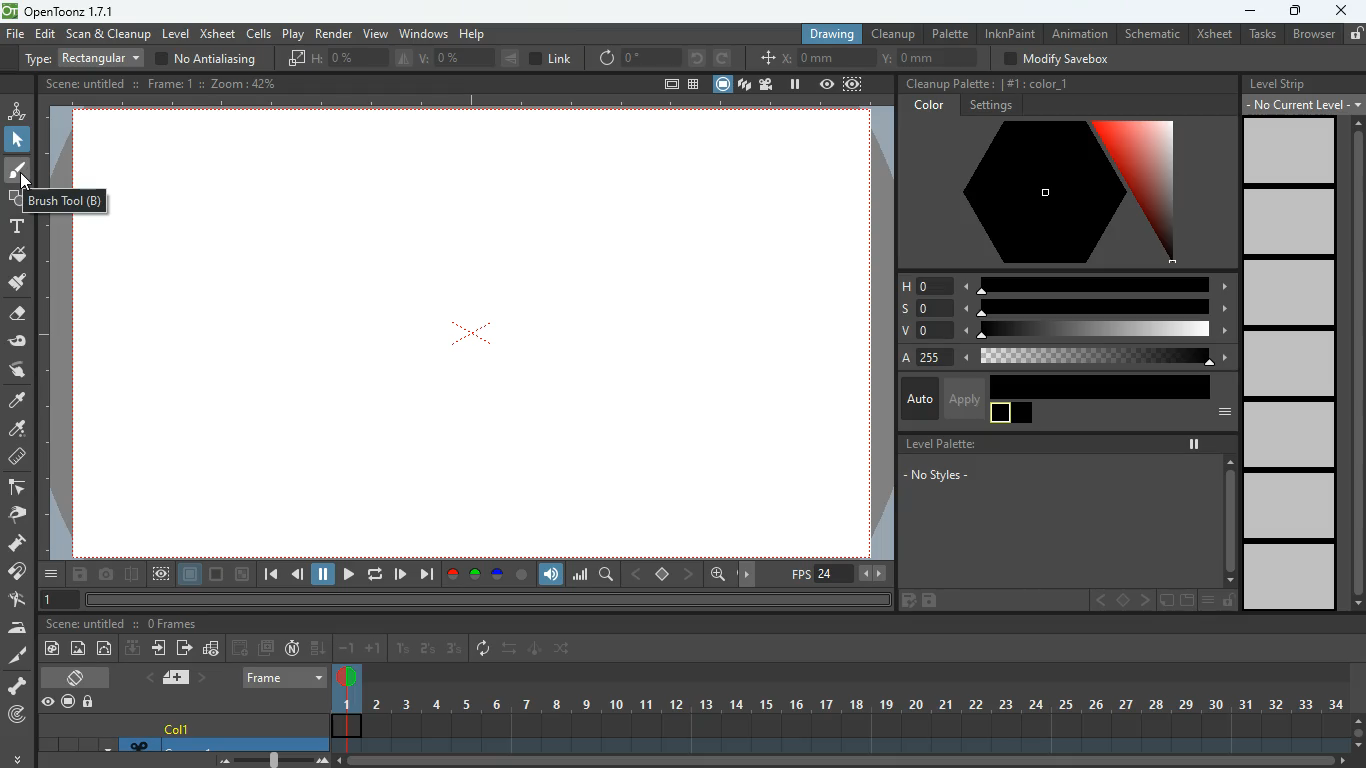 Image resolution: width=1366 pixels, height=768 pixels. What do you see at coordinates (319, 647) in the screenshot?
I see `down` at bounding box center [319, 647].